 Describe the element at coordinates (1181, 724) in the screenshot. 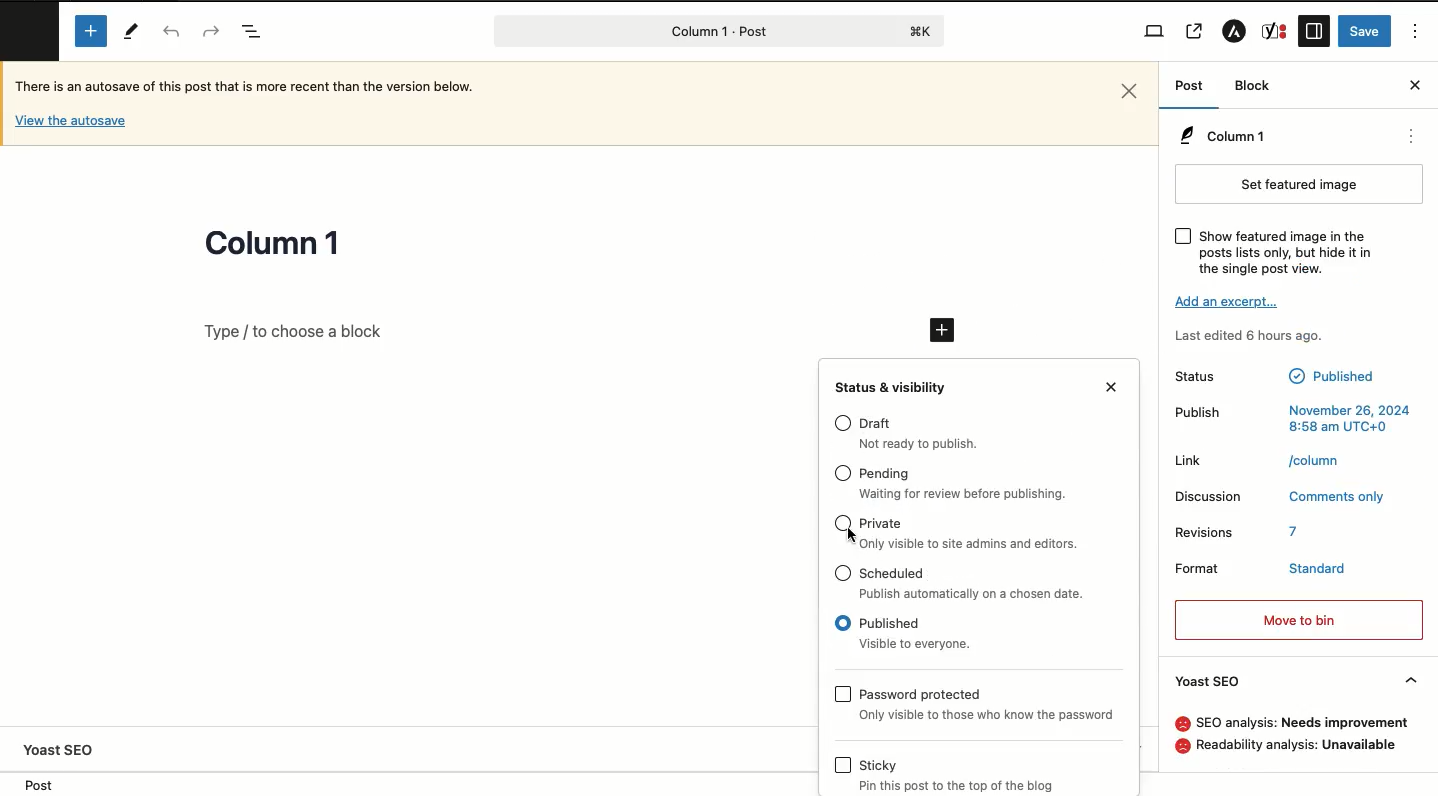

I see `emoji` at that location.